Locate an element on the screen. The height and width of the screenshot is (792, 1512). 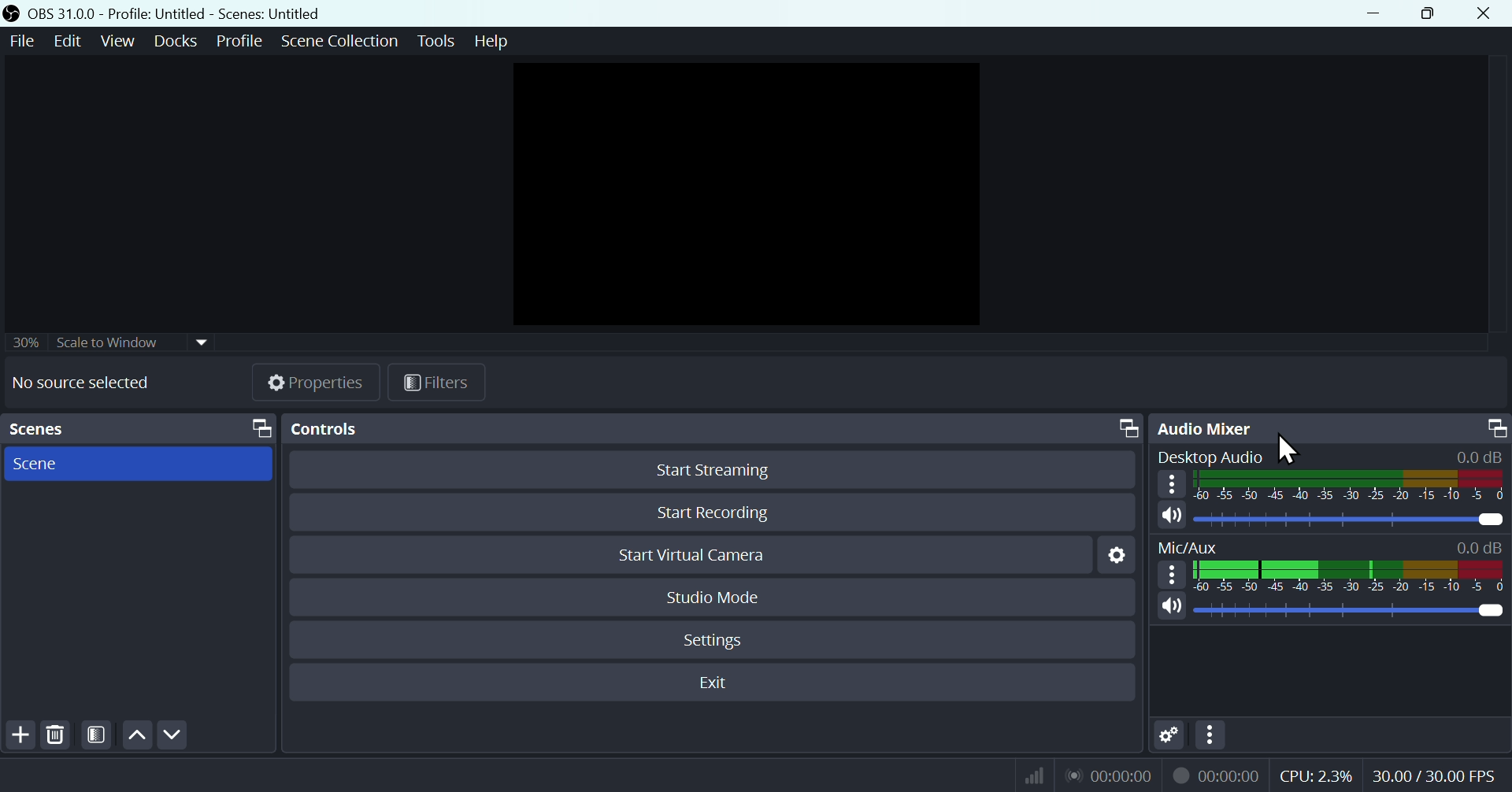
Desktop Audio bar is located at coordinates (1347, 483).